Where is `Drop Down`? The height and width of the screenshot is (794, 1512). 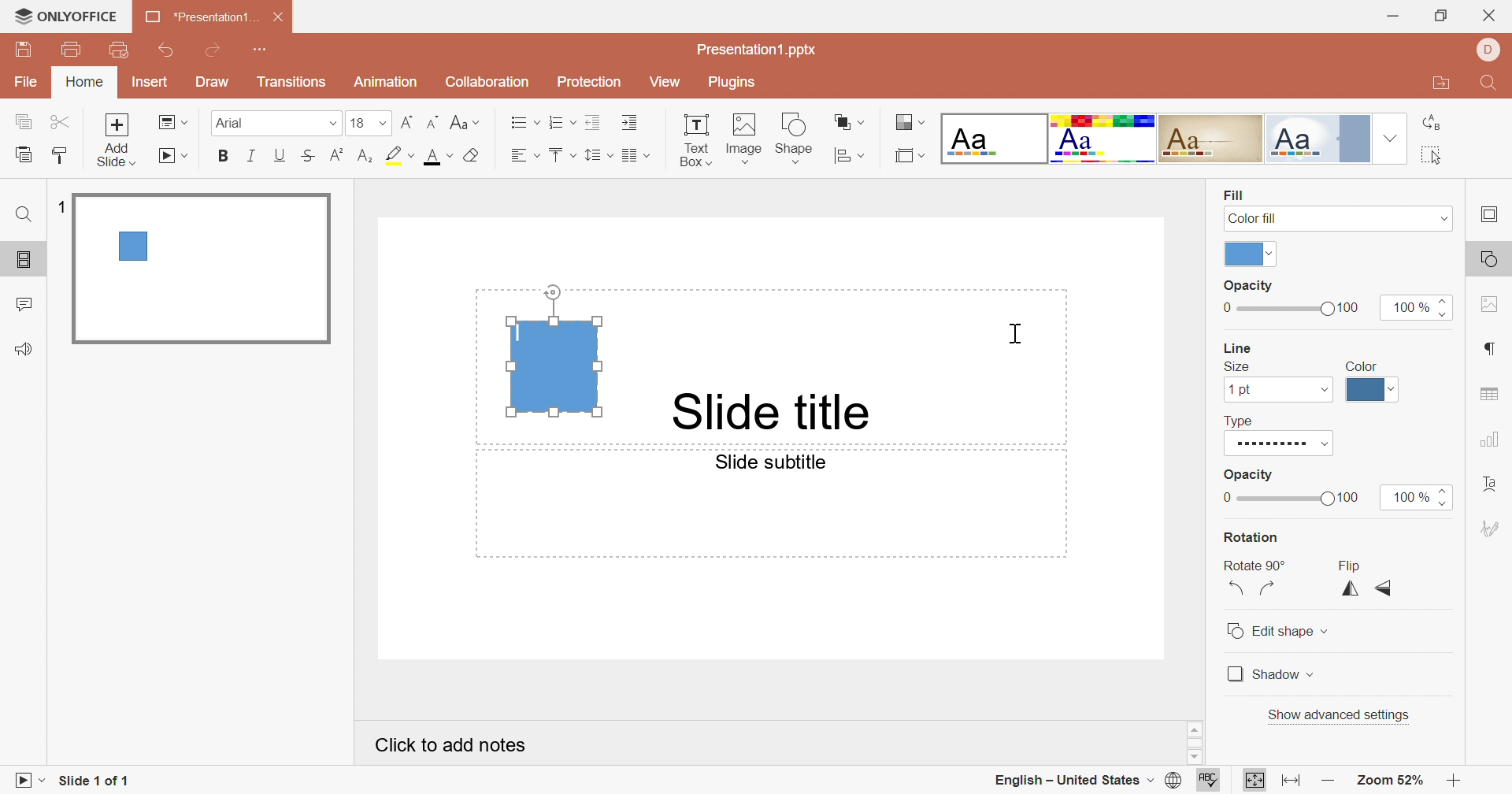 Drop Down is located at coordinates (1440, 217).